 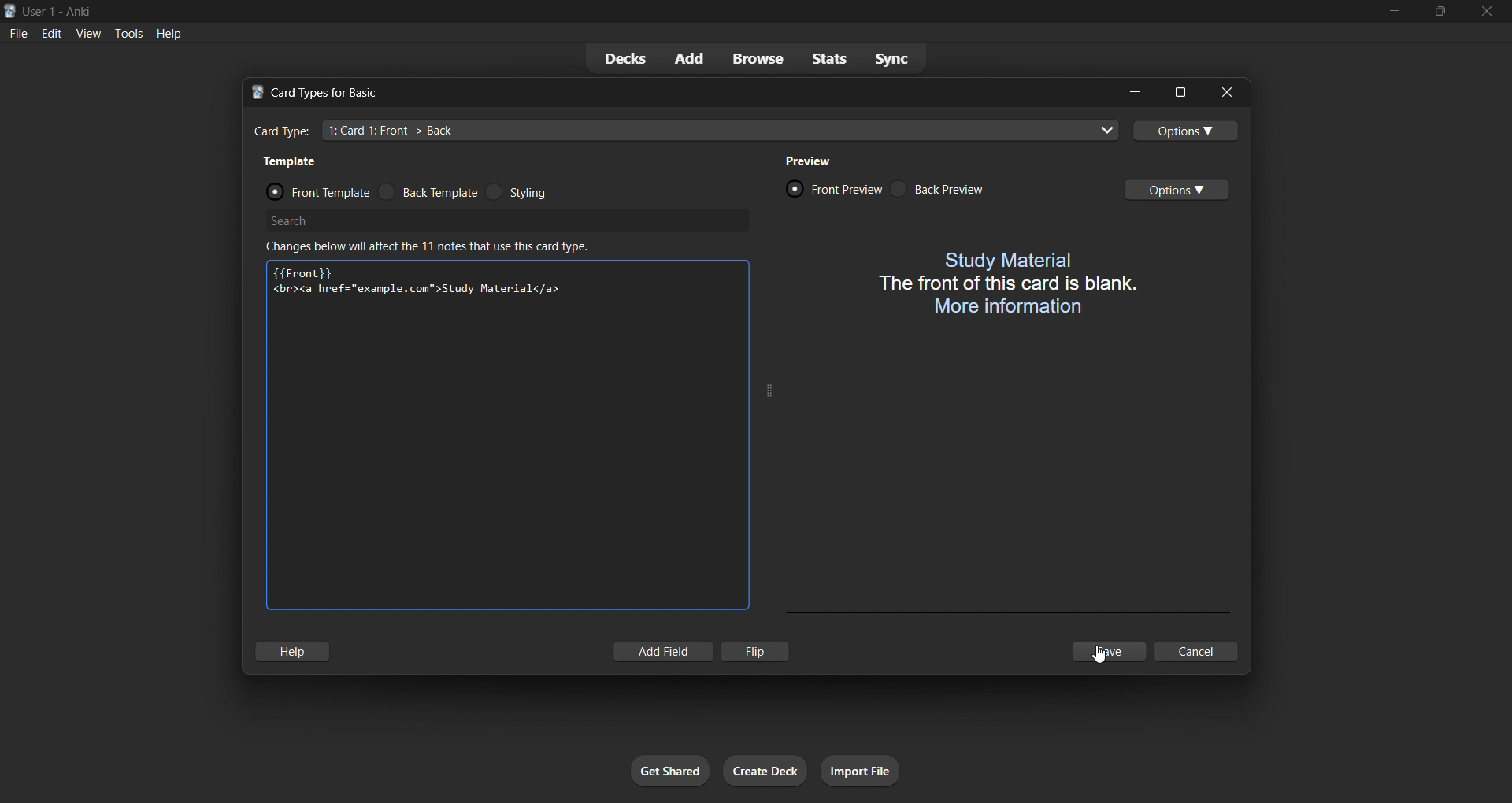 What do you see at coordinates (298, 652) in the screenshot?
I see `hlep` at bounding box center [298, 652].